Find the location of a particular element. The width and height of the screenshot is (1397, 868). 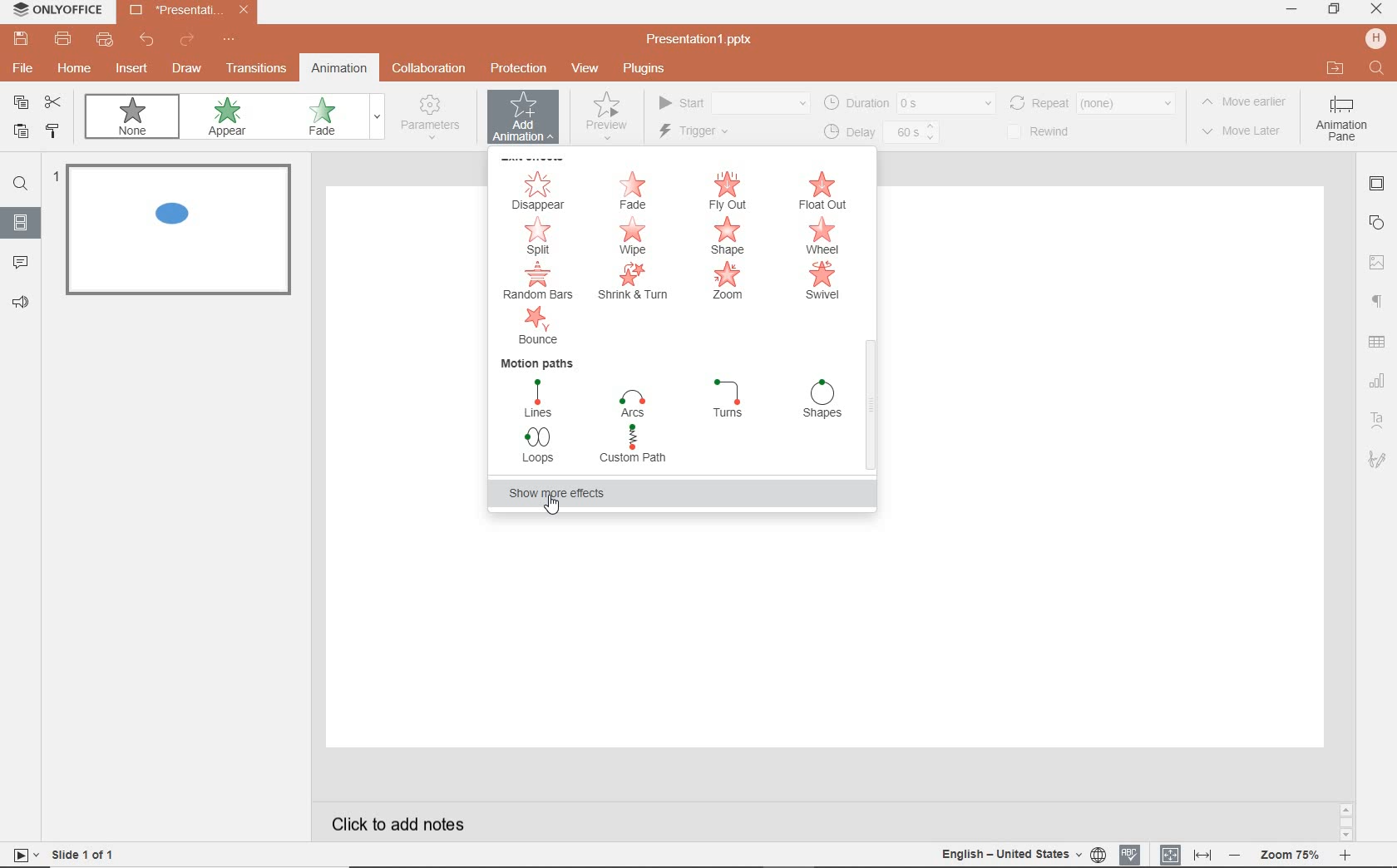

find is located at coordinates (21, 186).